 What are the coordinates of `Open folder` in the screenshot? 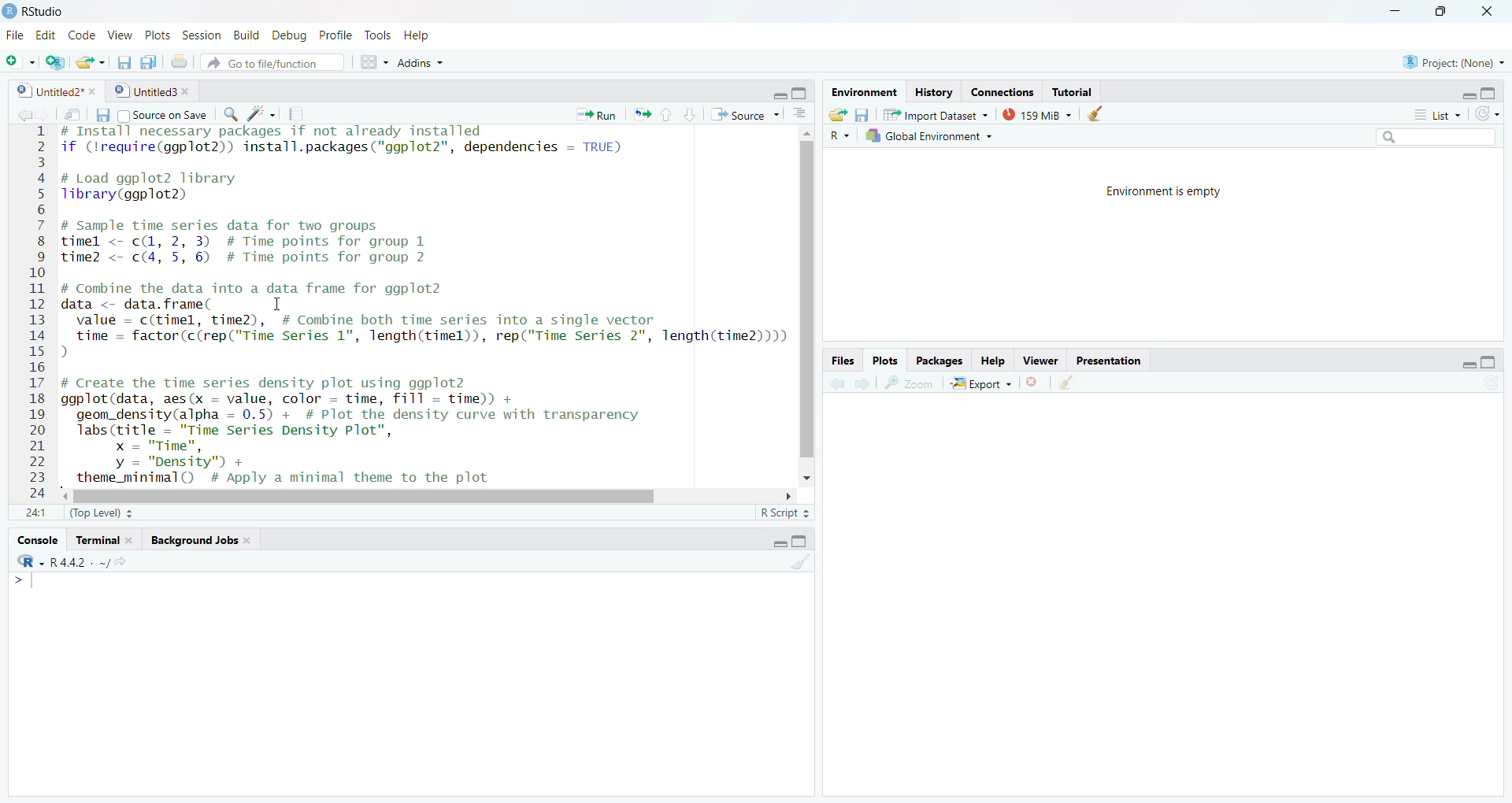 It's located at (836, 115).